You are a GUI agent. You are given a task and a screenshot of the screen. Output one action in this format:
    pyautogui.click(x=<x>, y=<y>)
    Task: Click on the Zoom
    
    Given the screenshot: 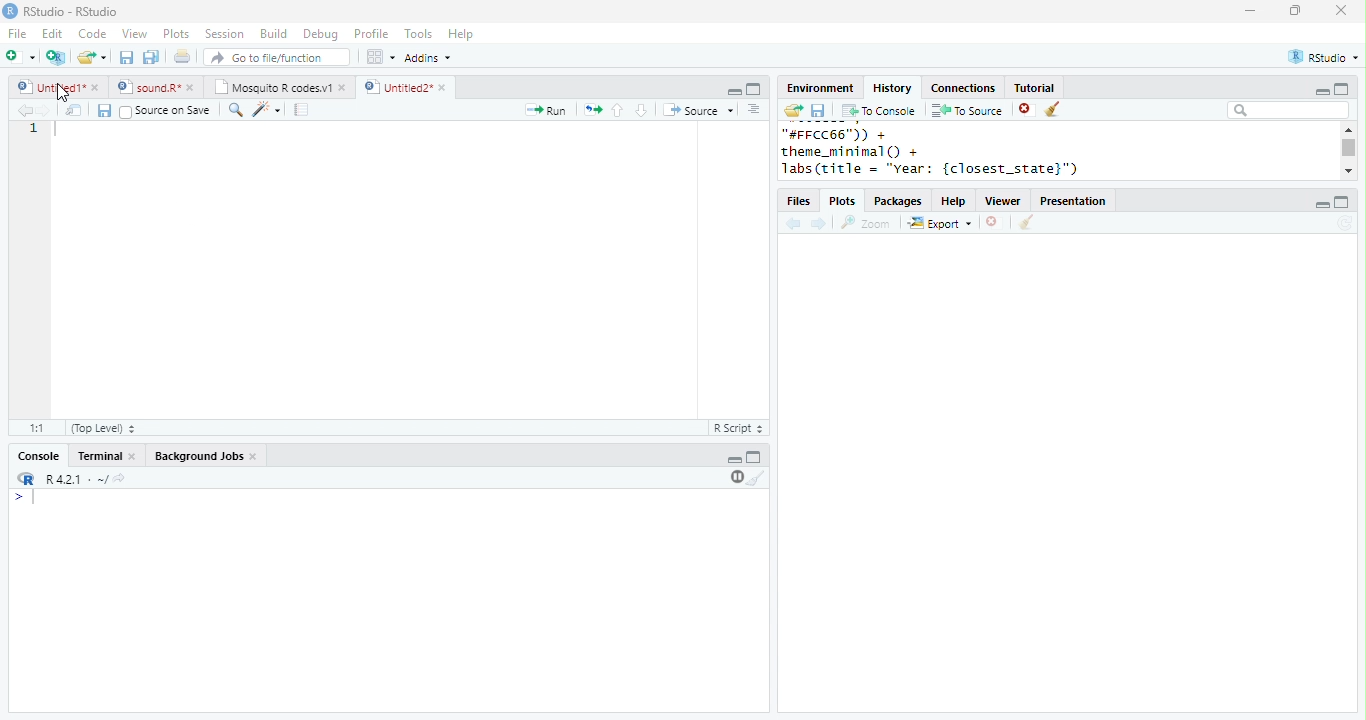 What is the action you would take?
    pyautogui.click(x=866, y=223)
    